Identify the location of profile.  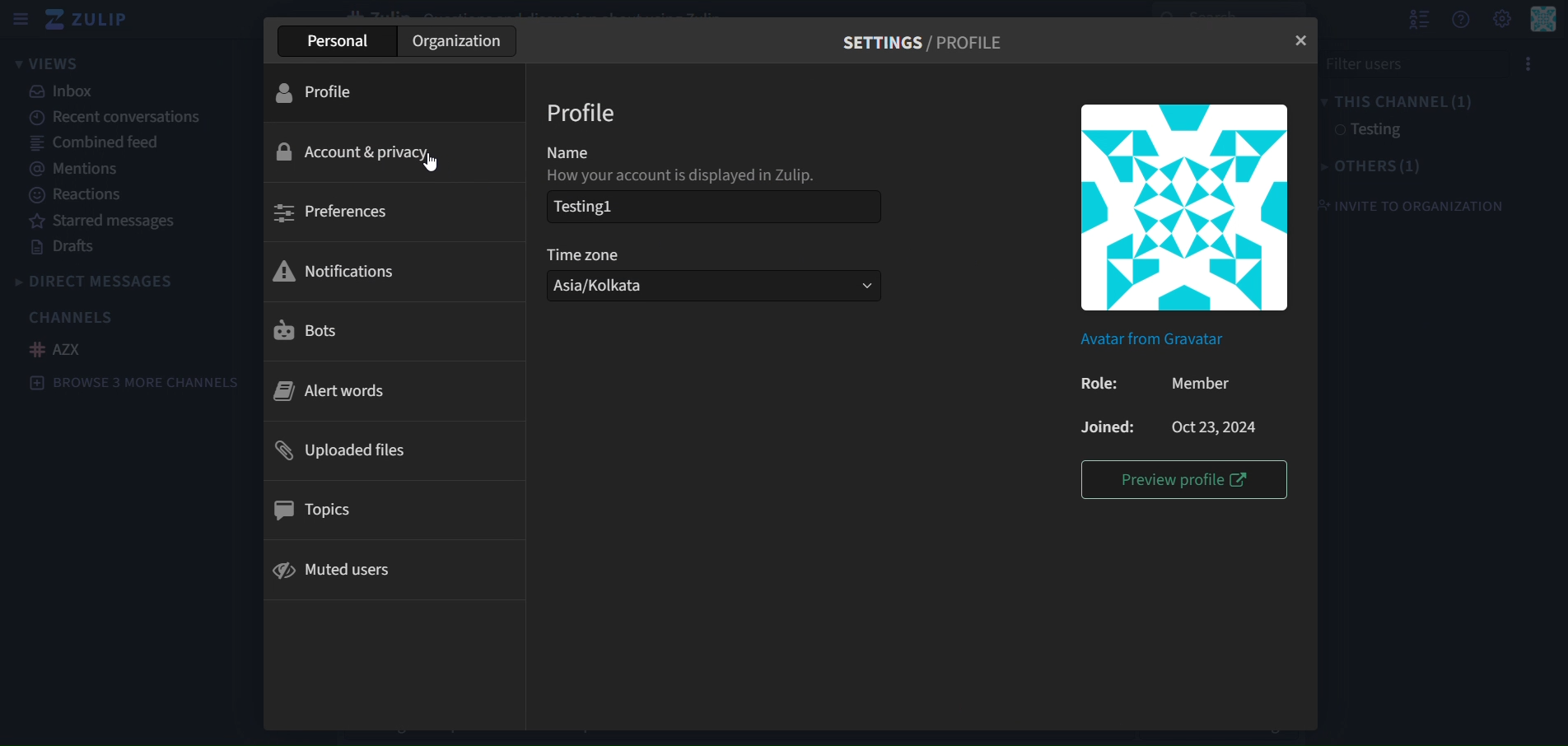
(585, 114).